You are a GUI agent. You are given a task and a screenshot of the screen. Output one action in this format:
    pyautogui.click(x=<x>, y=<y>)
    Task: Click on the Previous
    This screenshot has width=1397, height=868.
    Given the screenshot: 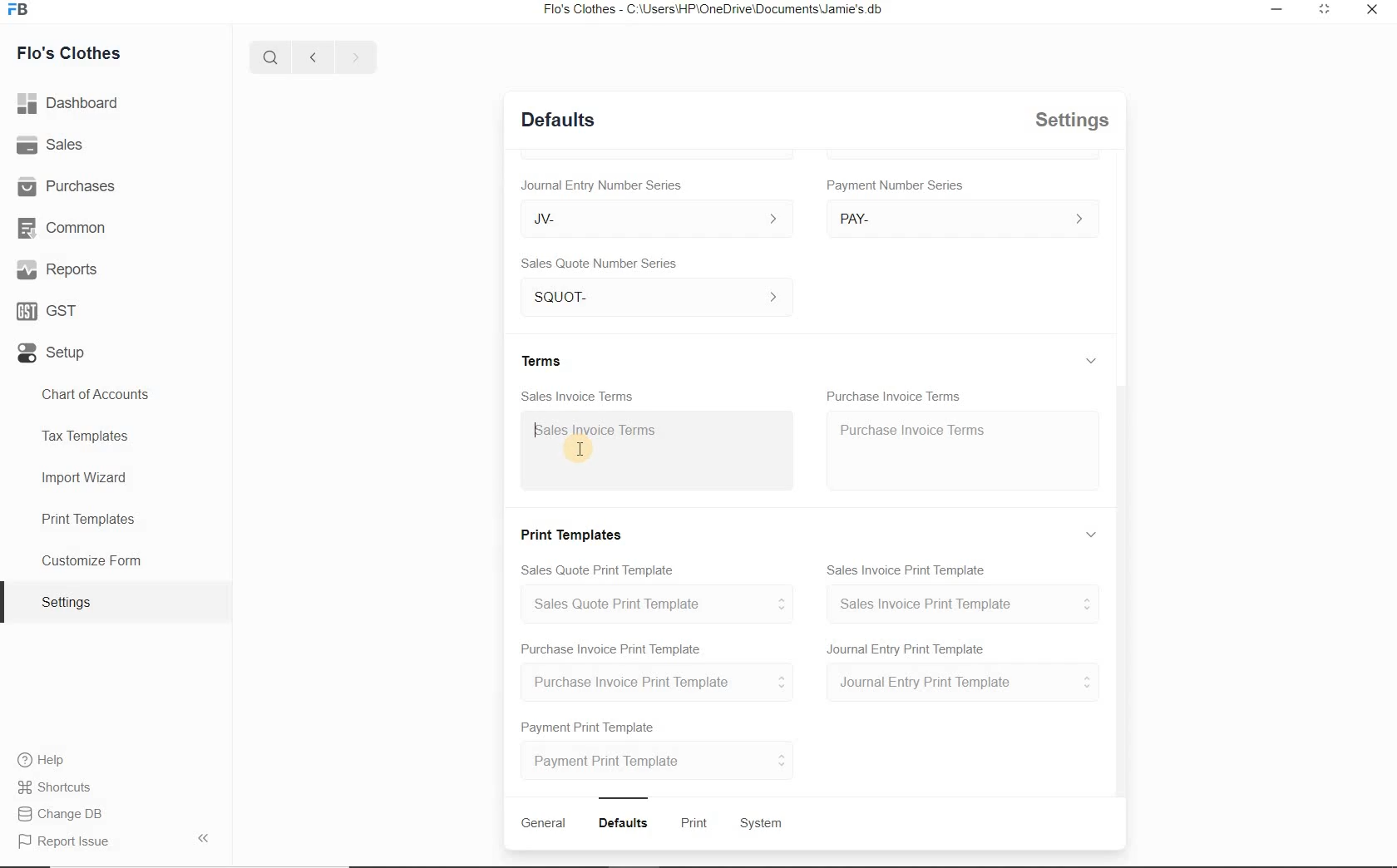 What is the action you would take?
    pyautogui.click(x=310, y=56)
    